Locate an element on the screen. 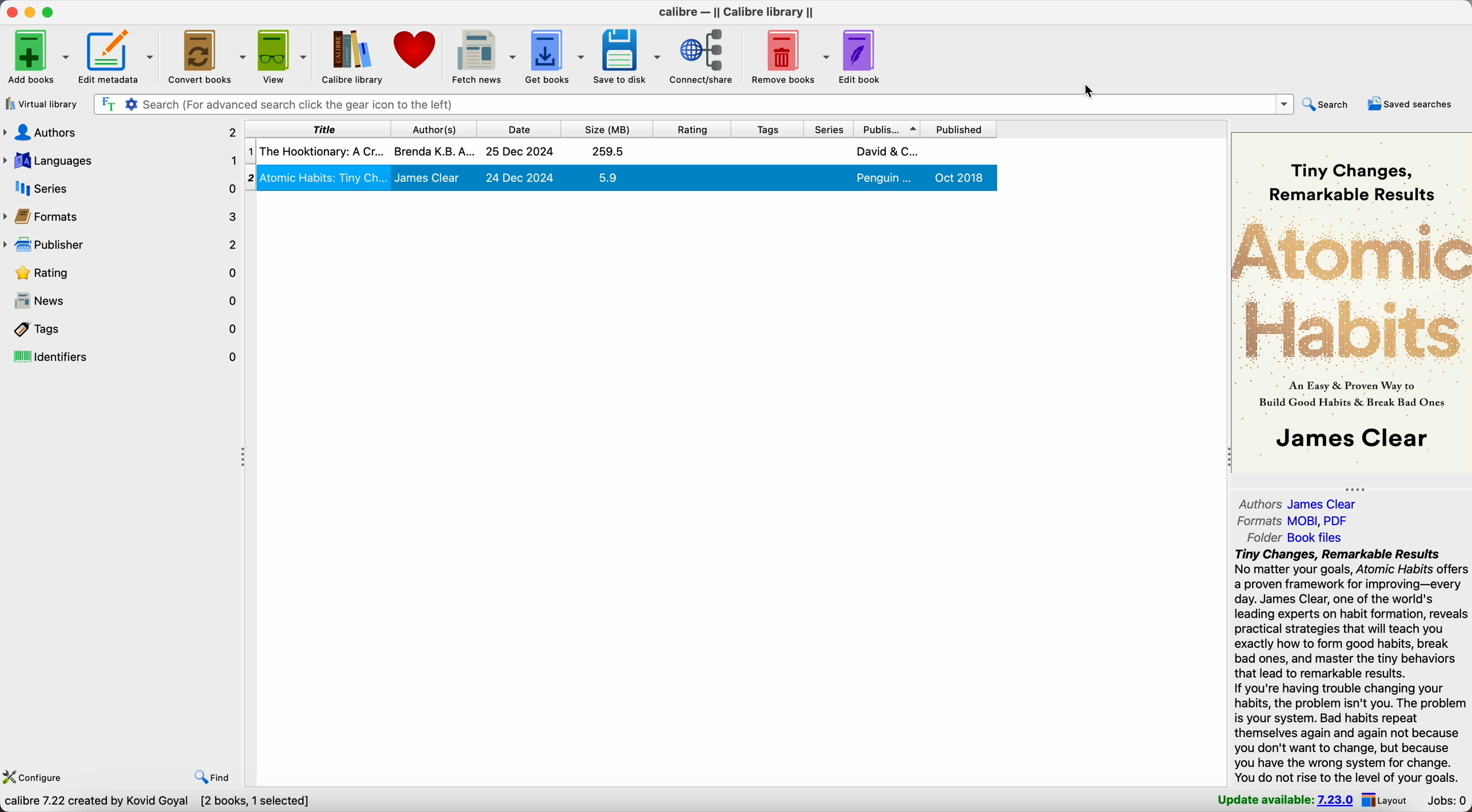 Image resolution: width=1472 pixels, height=812 pixels. Jobs: 0 is located at coordinates (1445, 801).